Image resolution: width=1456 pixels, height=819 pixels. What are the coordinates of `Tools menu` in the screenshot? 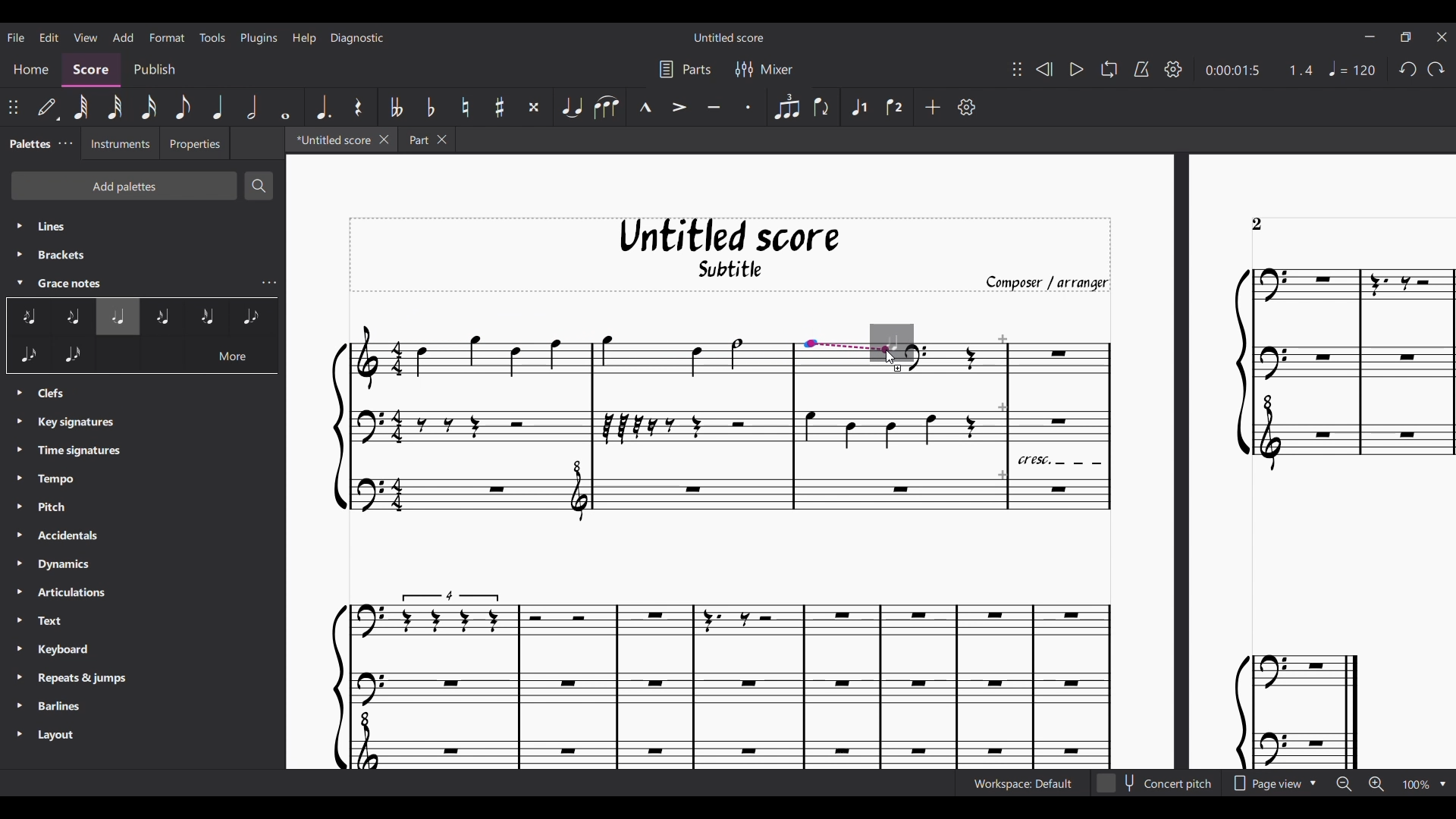 It's located at (213, 37).